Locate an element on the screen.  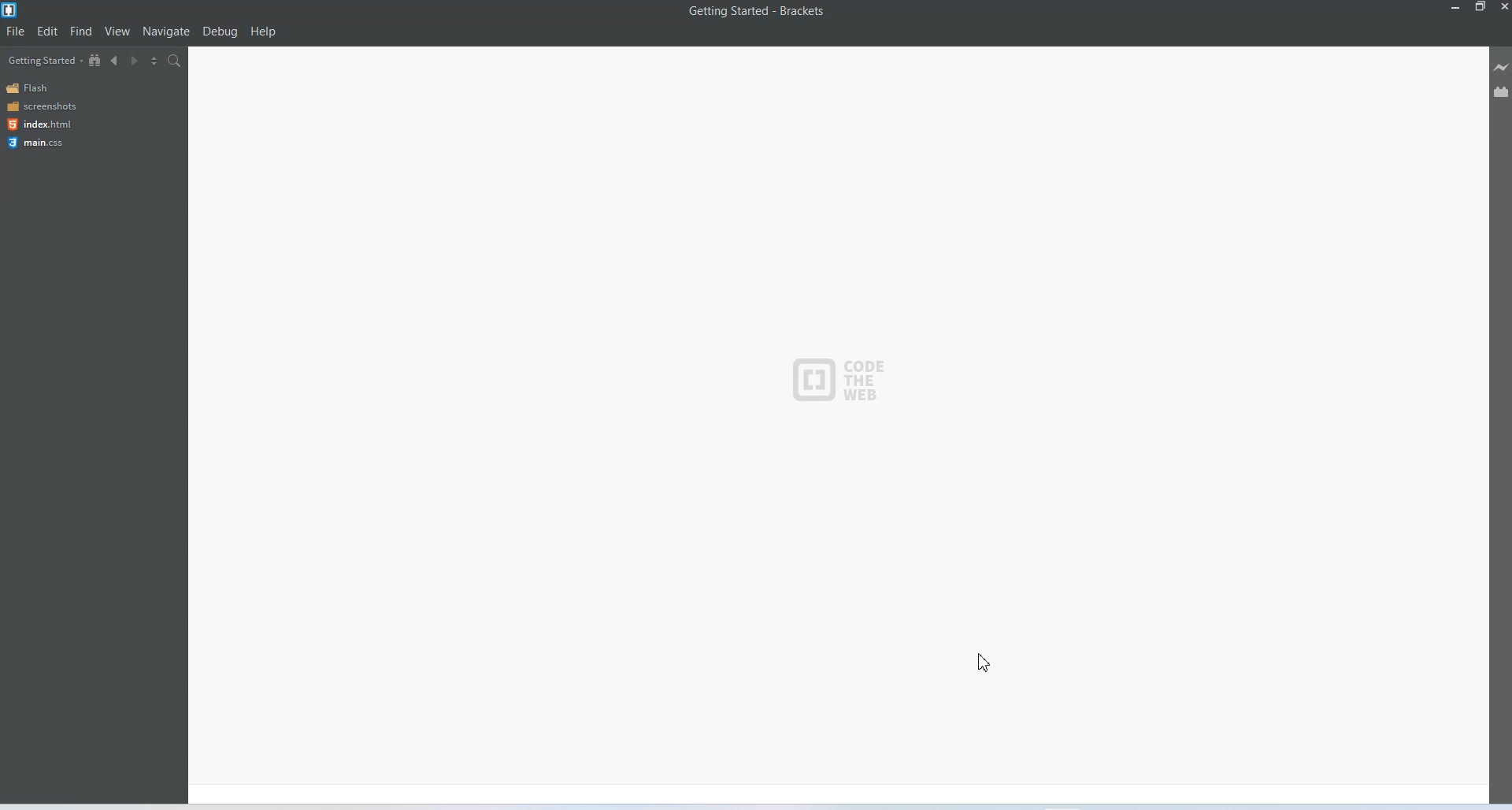
Default Getting Started Screen is located at coordinates (838, 424).